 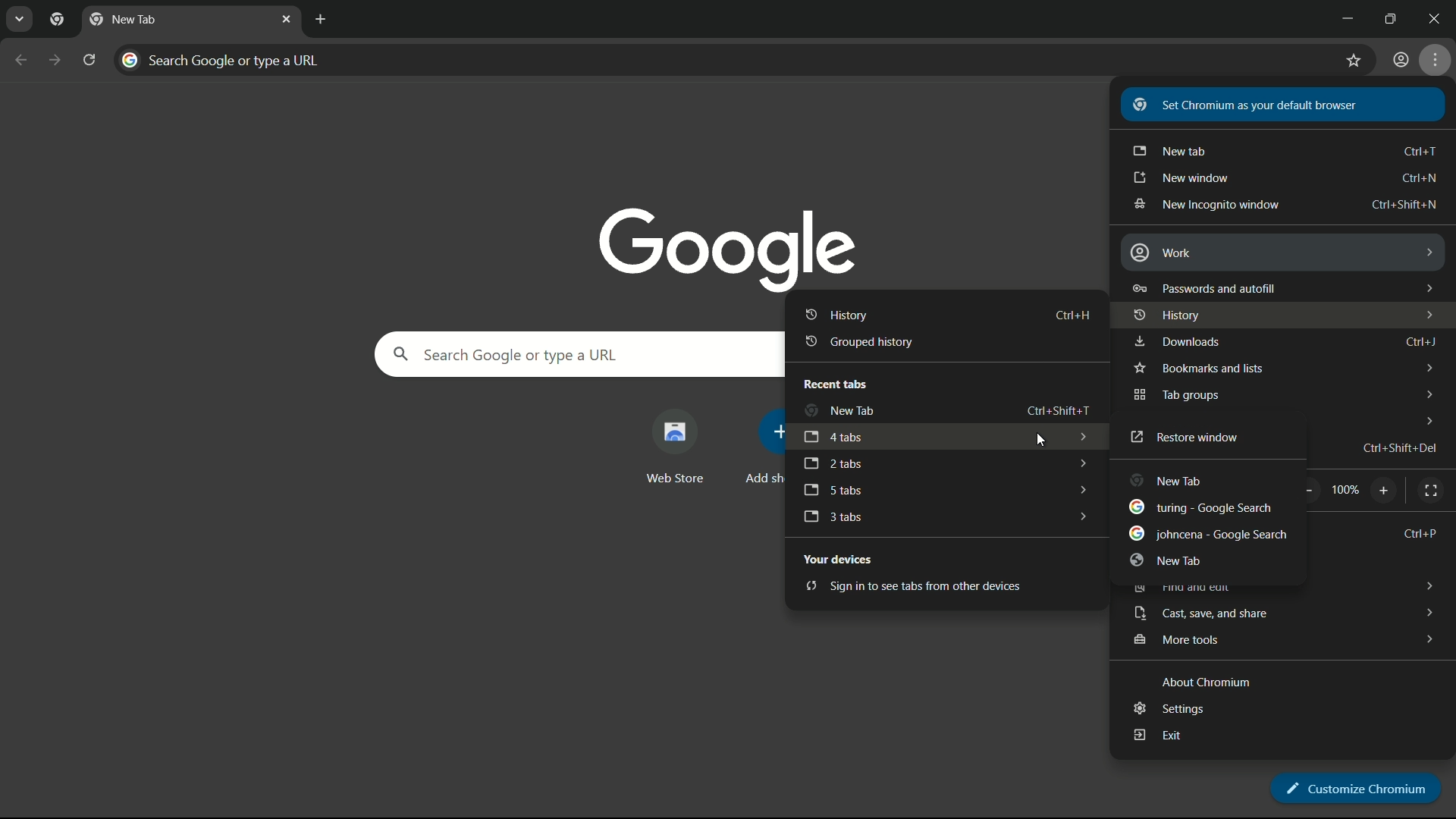 I want to click on sign in to see tabs from other devices, so click(x=905, y=586).